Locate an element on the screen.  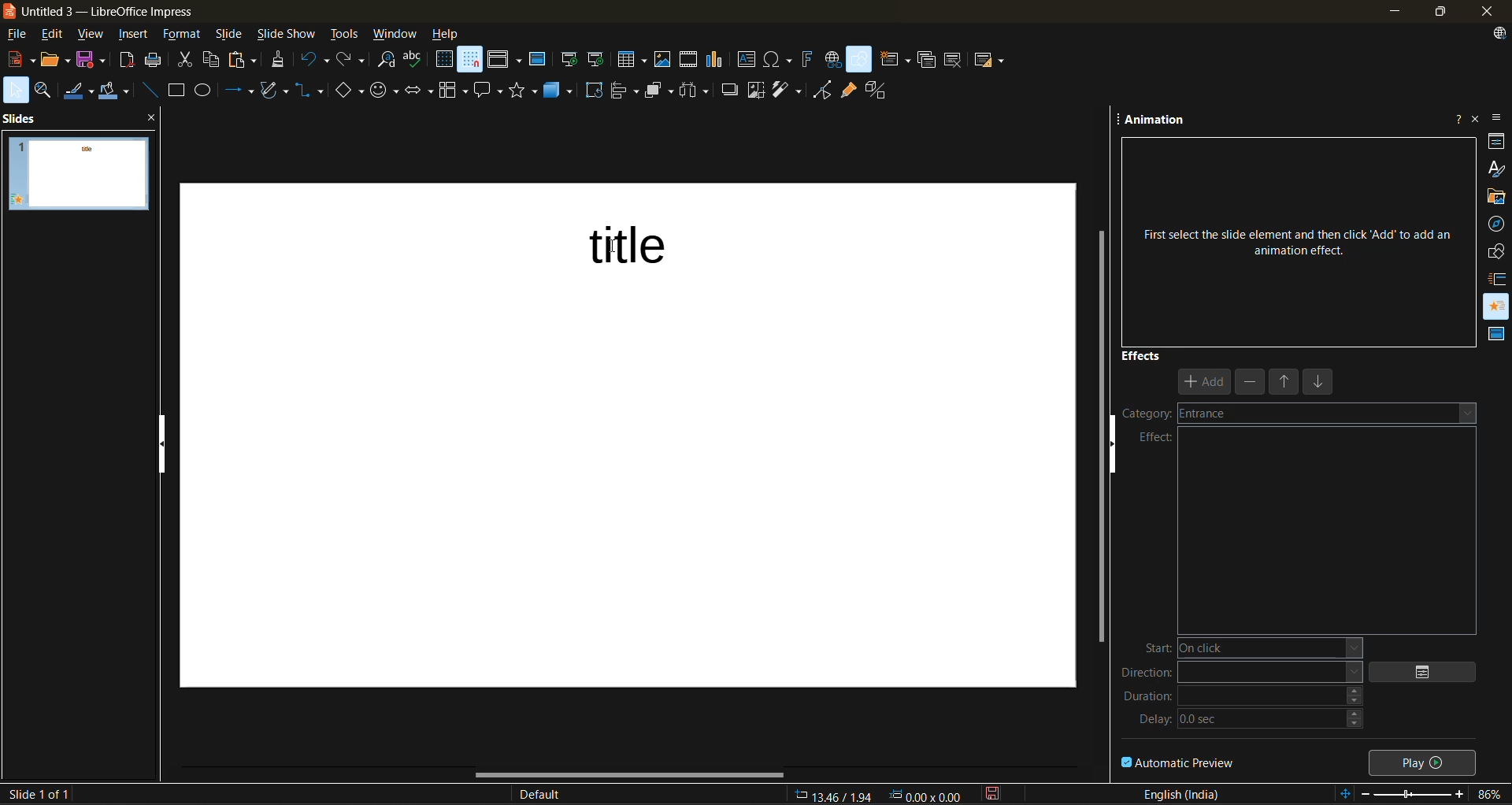
basic shapes is located at coordinates (350, 93).